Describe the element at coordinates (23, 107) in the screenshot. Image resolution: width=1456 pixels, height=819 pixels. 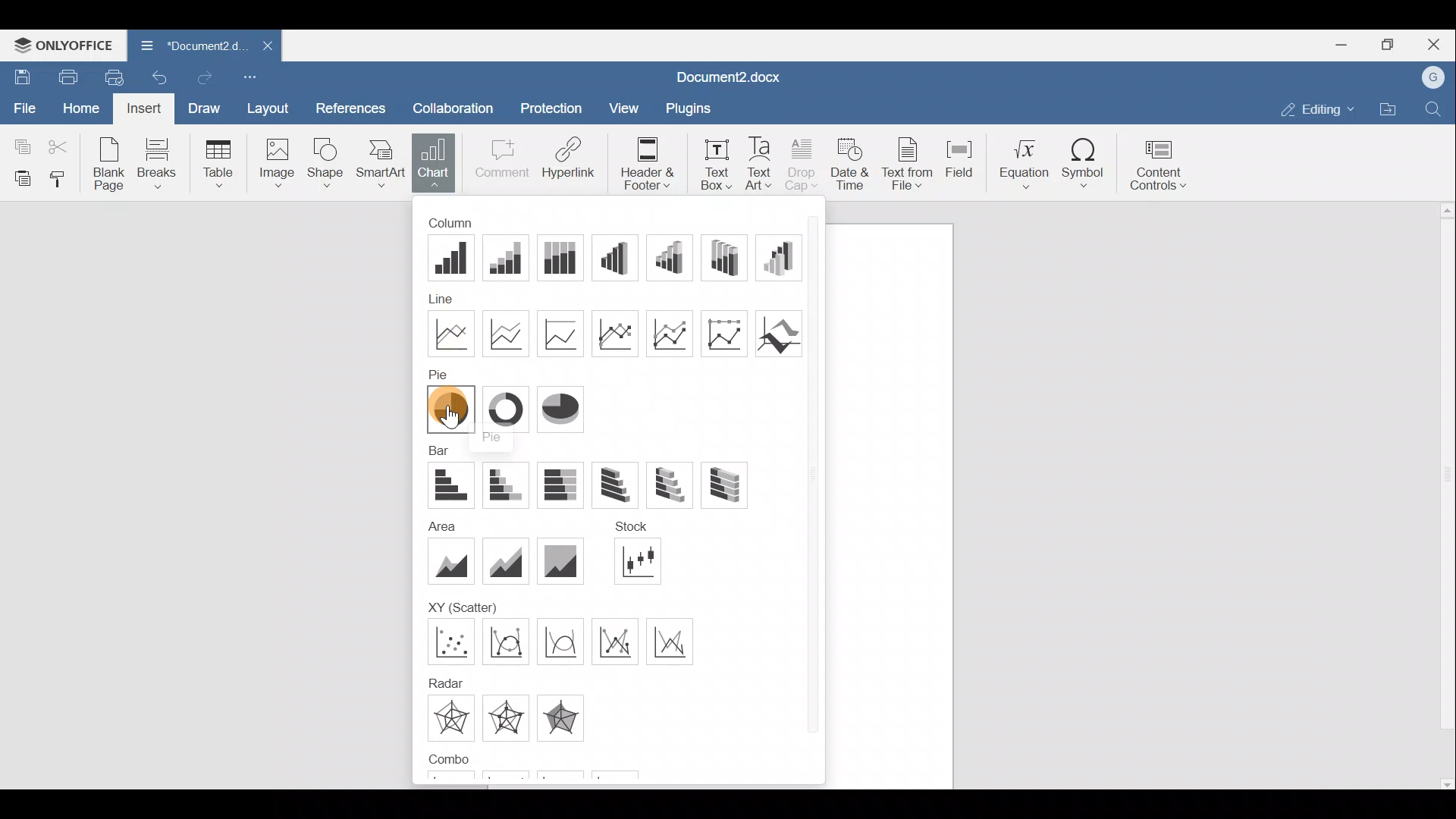
I see `File` at that location.